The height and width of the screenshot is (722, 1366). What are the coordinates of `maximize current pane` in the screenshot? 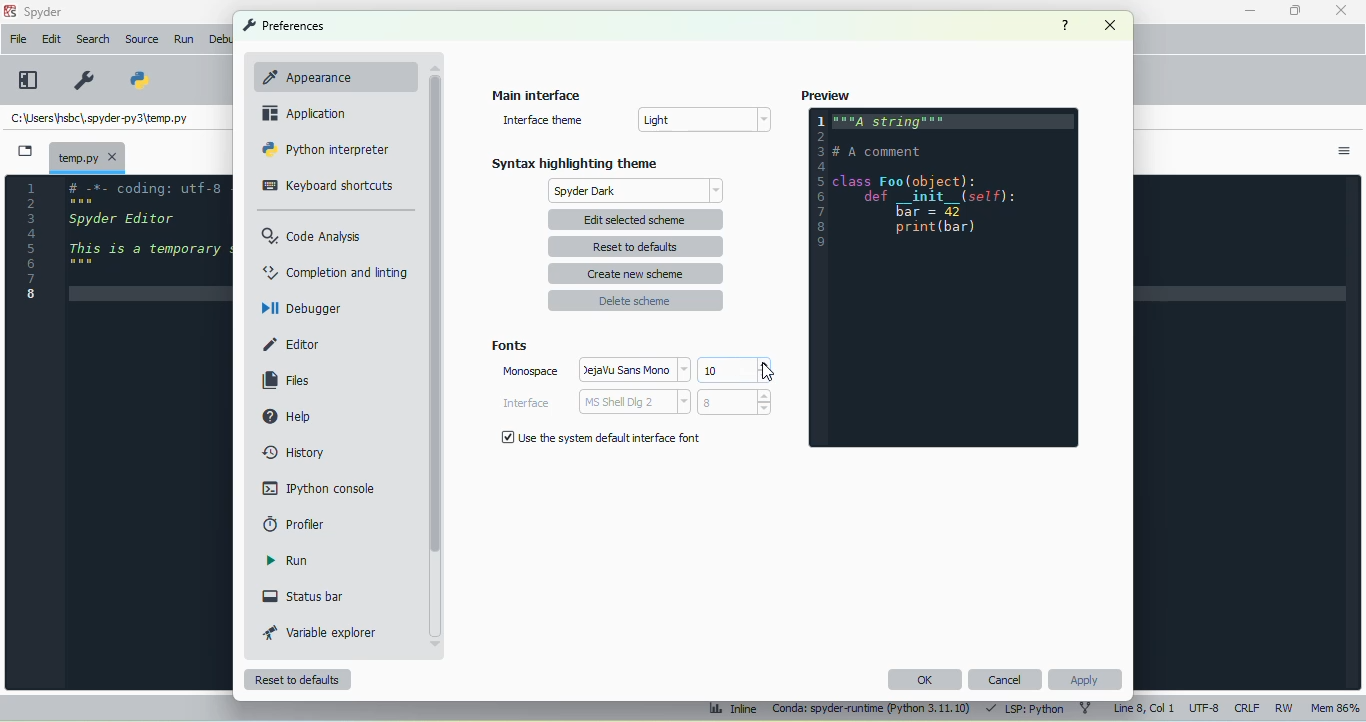 It's located at (29, 80).